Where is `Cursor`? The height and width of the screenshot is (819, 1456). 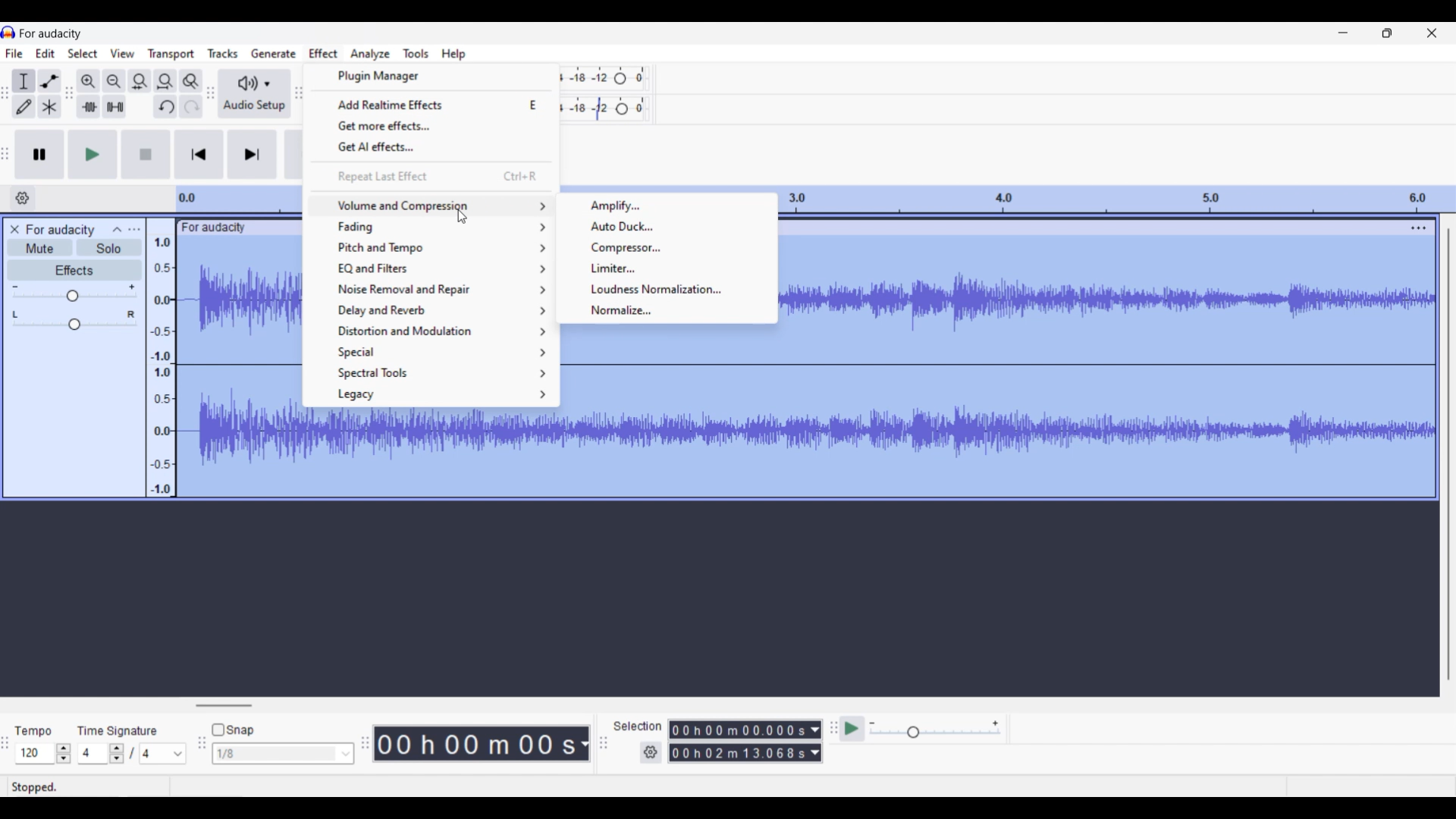
Cursor is located at coordinates (461, 216).